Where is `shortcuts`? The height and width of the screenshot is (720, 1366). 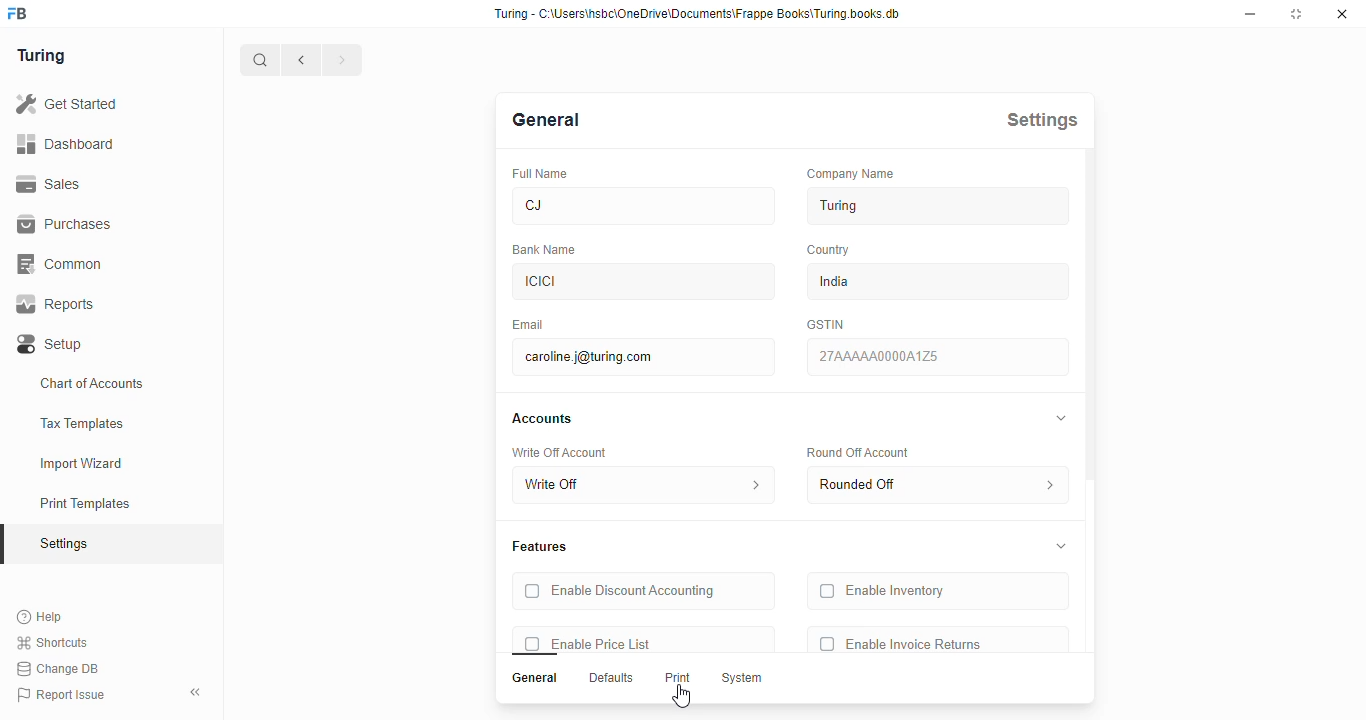
shortcuts is located at coordinates (52, 643).